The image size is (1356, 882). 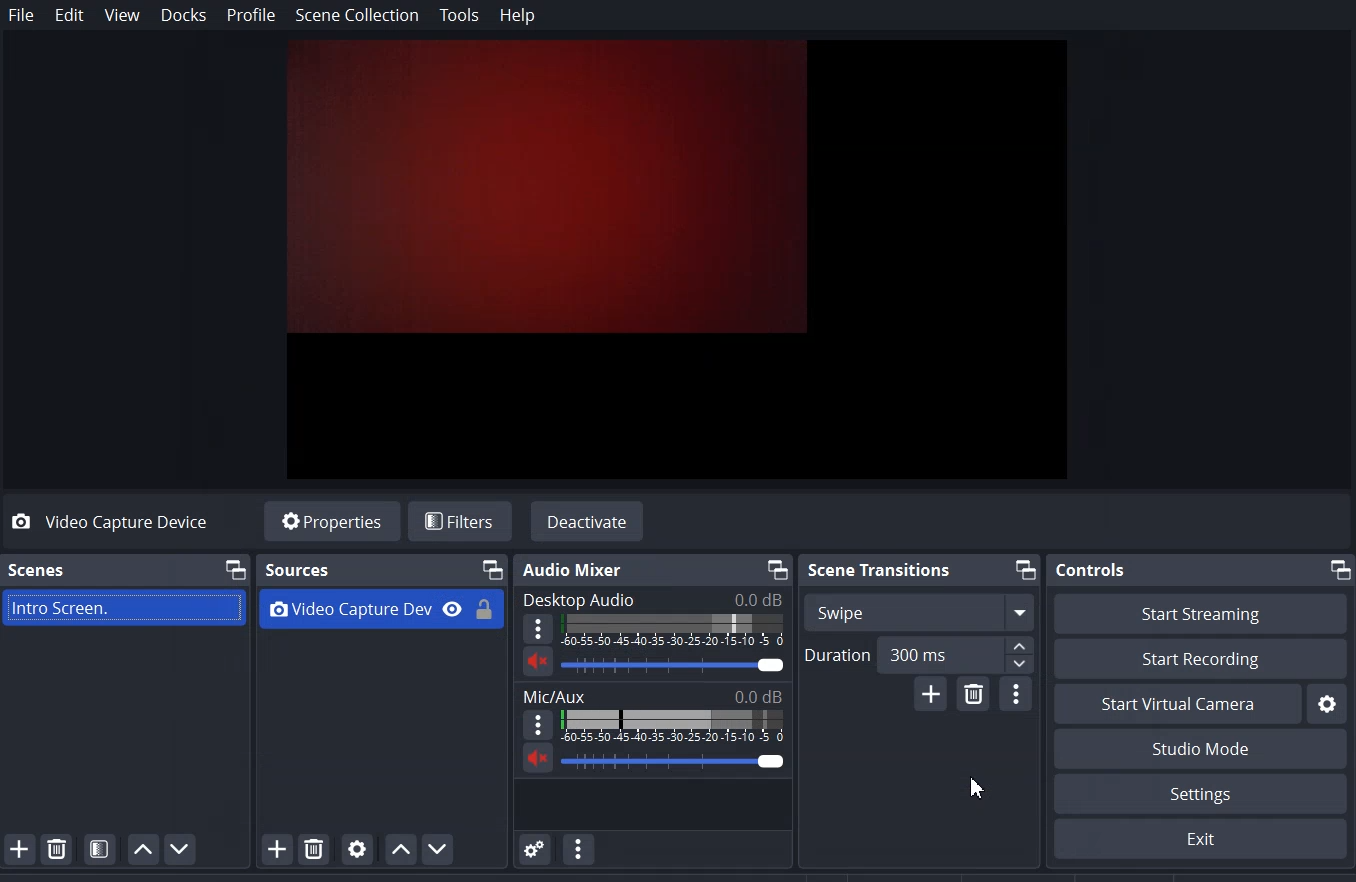 I want to click on Desktop Audio, so click(x=581, y=598).